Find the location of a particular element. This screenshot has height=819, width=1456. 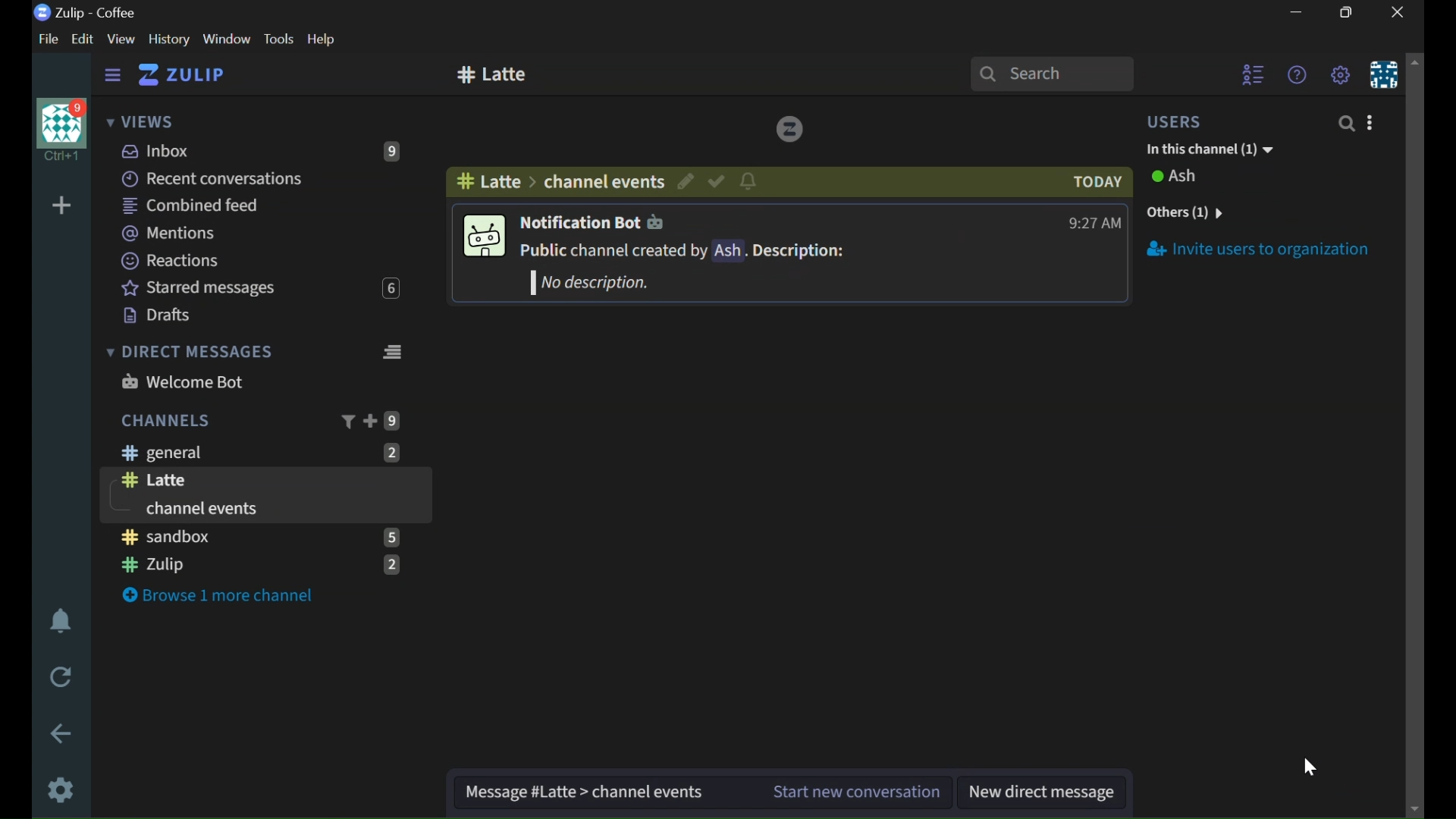

SEARCH PEOPLE is located at coordinates (1346, 124).